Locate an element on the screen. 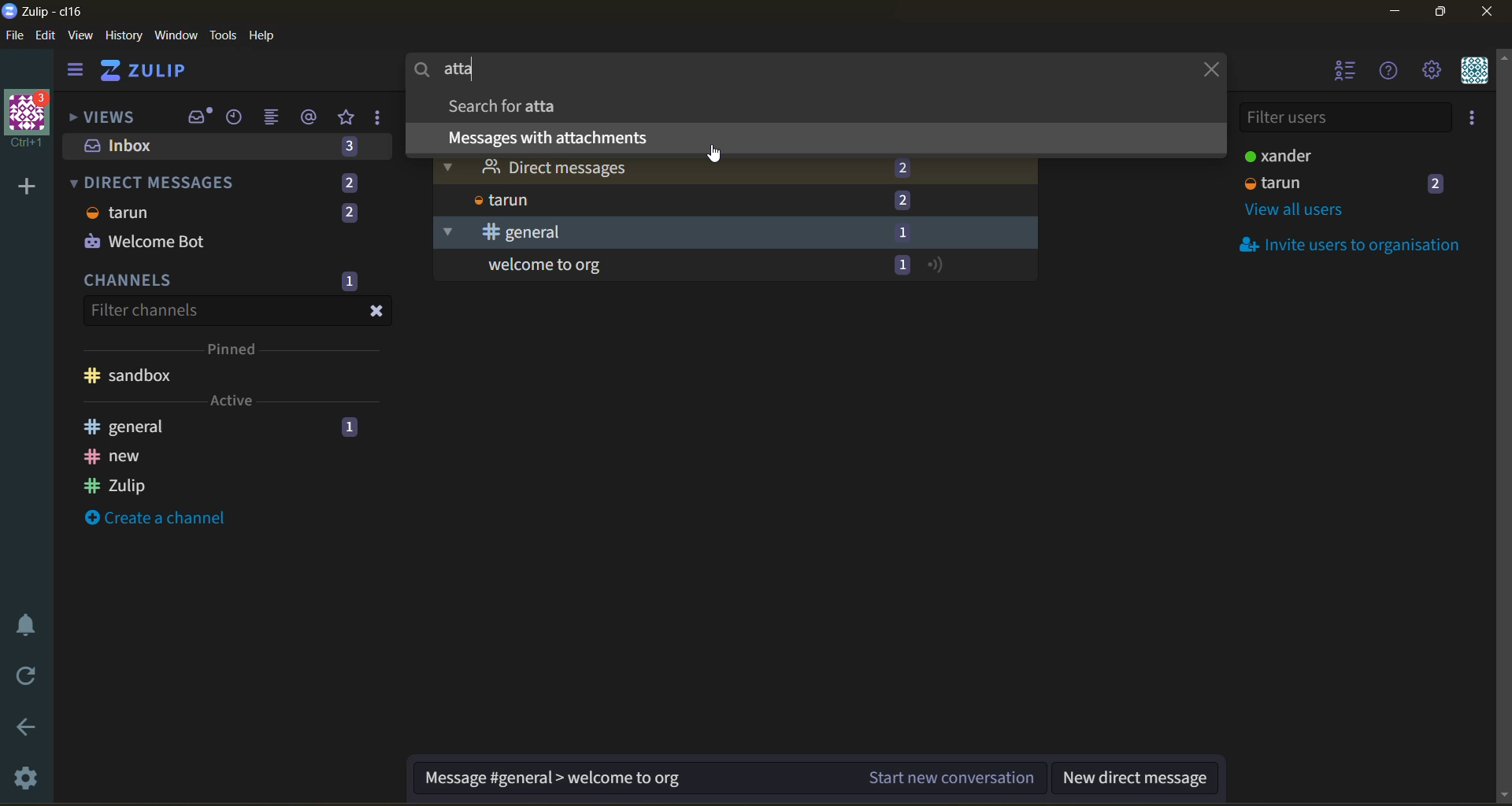  Direct messages is located at coordinates (534, 167).